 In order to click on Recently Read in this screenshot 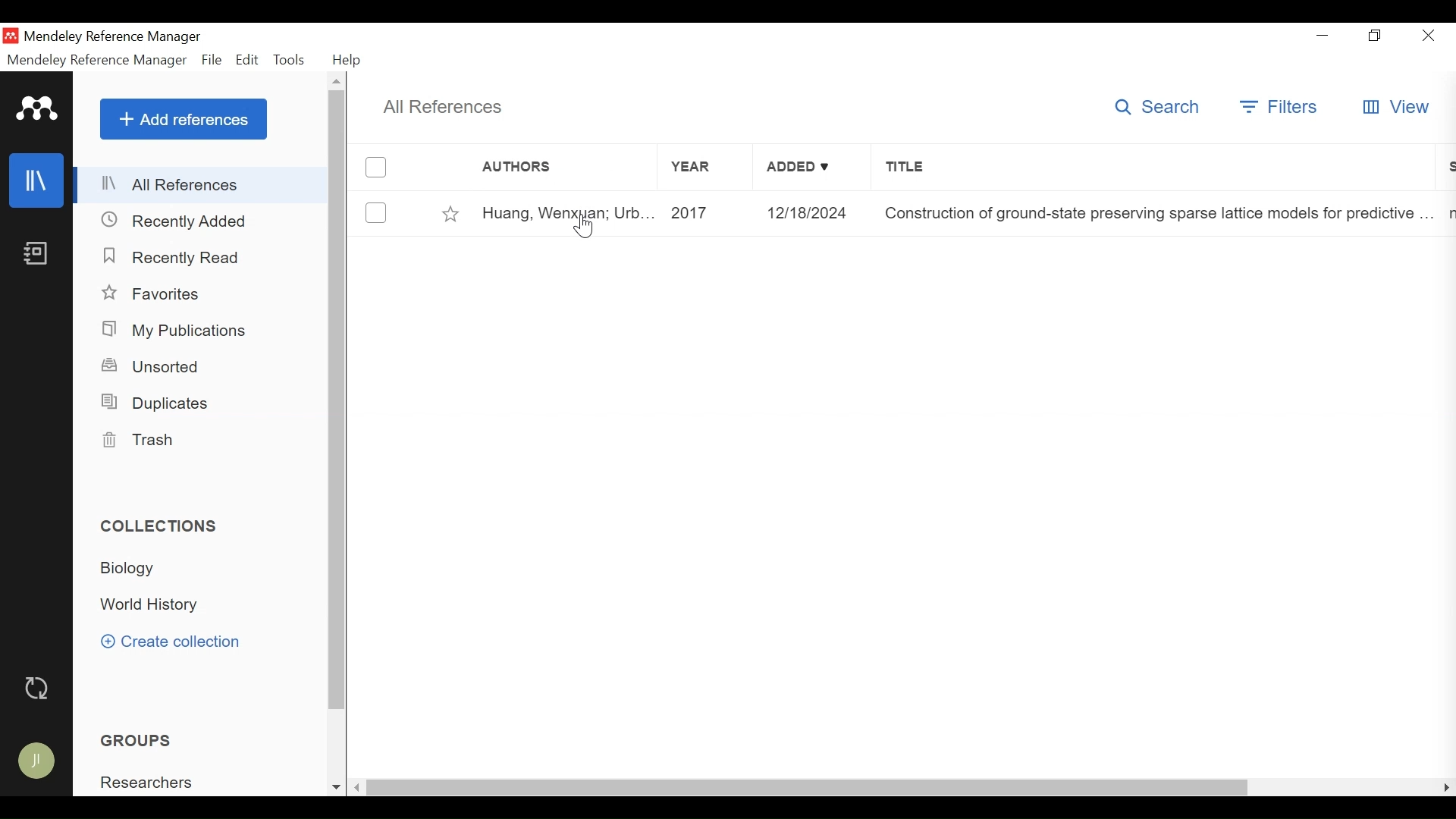, I will do `click(176, 258)`.